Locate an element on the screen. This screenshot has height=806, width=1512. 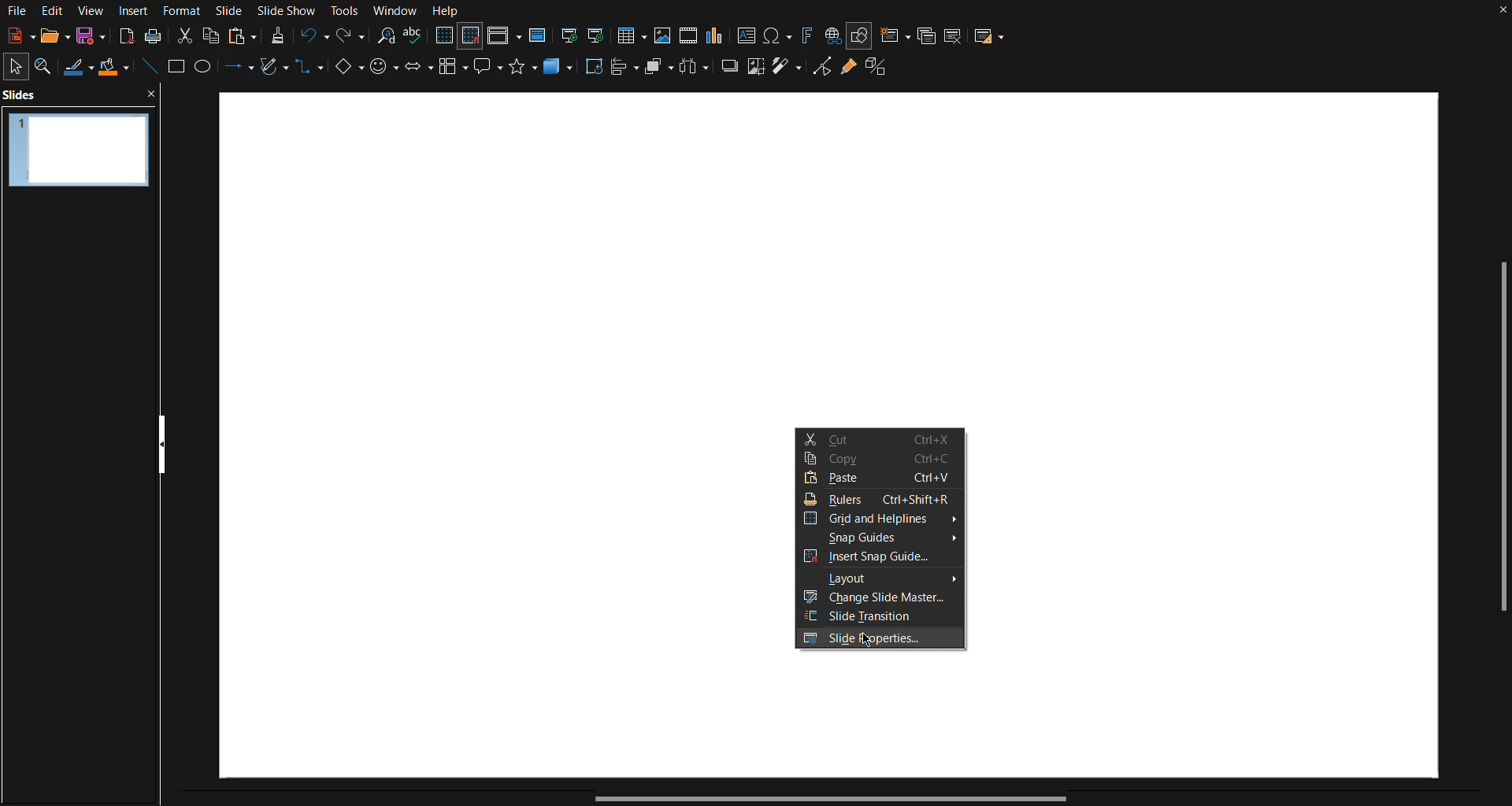
Stars and Banners is located at coordinates (524, 72).